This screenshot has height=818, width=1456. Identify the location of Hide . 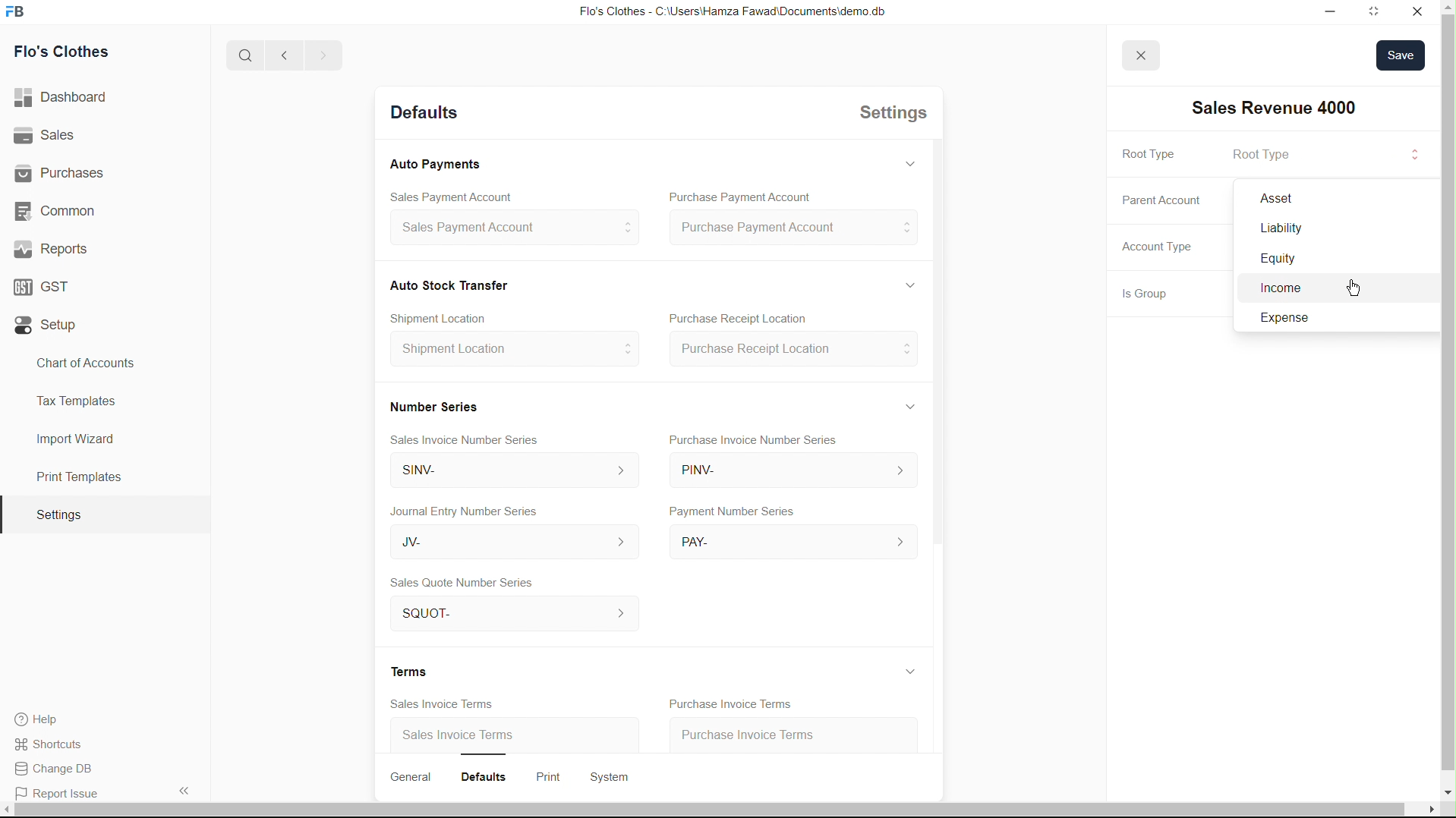
(917, 162).